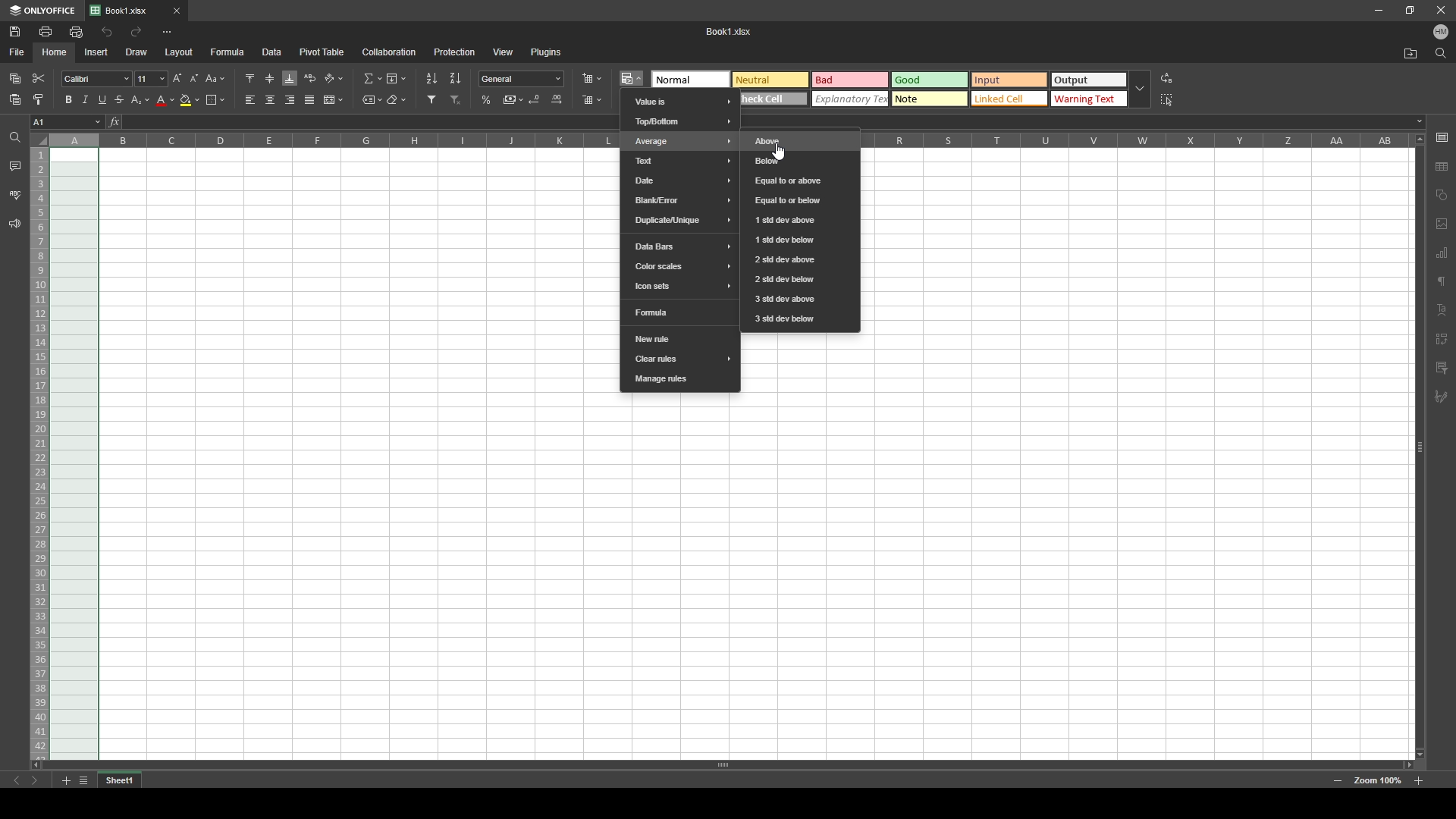 This screenshot has height=819, width=1456. I want to click on cursor, so click(644, 145).